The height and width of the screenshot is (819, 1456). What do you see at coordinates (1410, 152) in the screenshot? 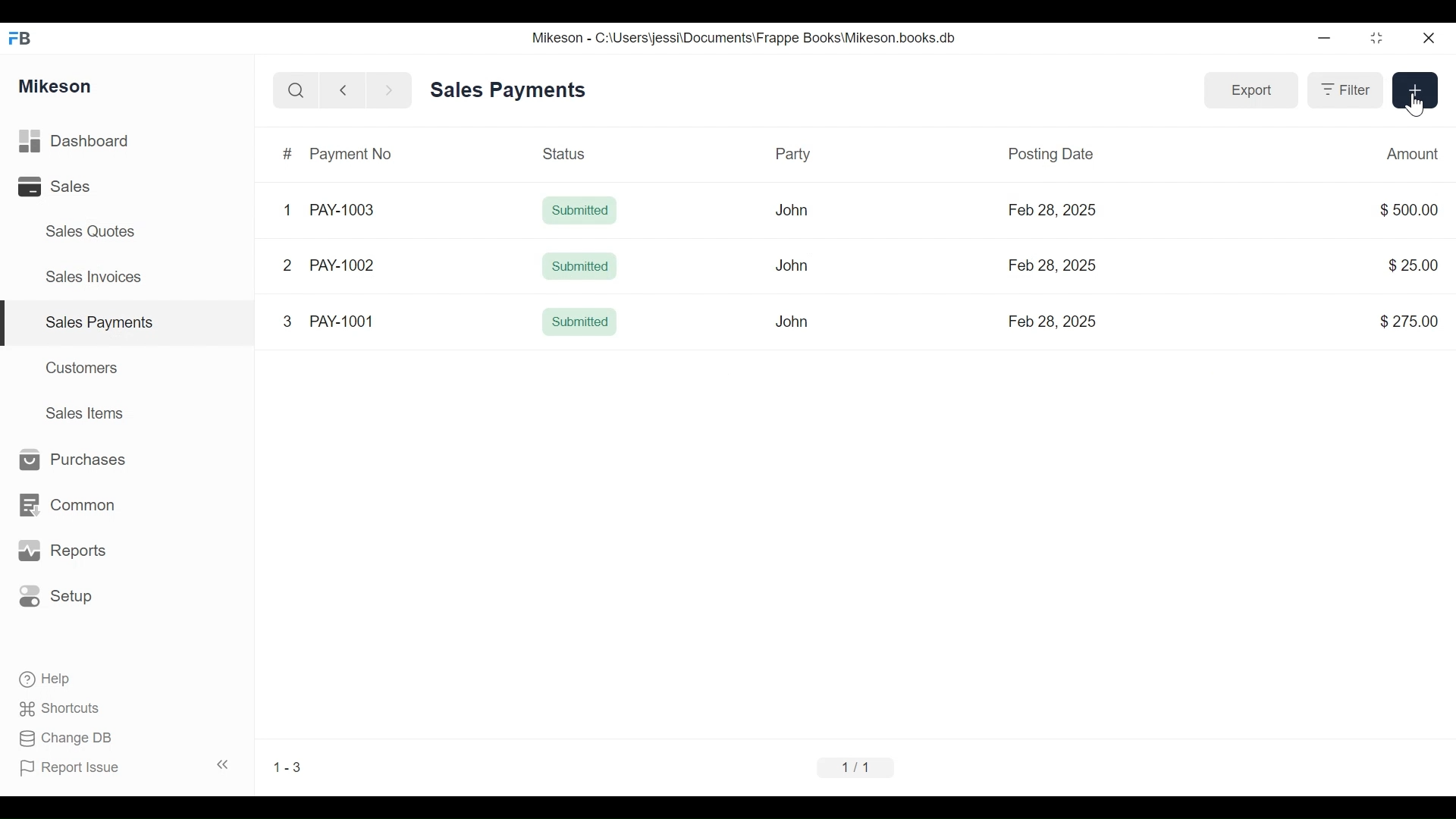
I see `Amount` at bounding box center [1410, 152].